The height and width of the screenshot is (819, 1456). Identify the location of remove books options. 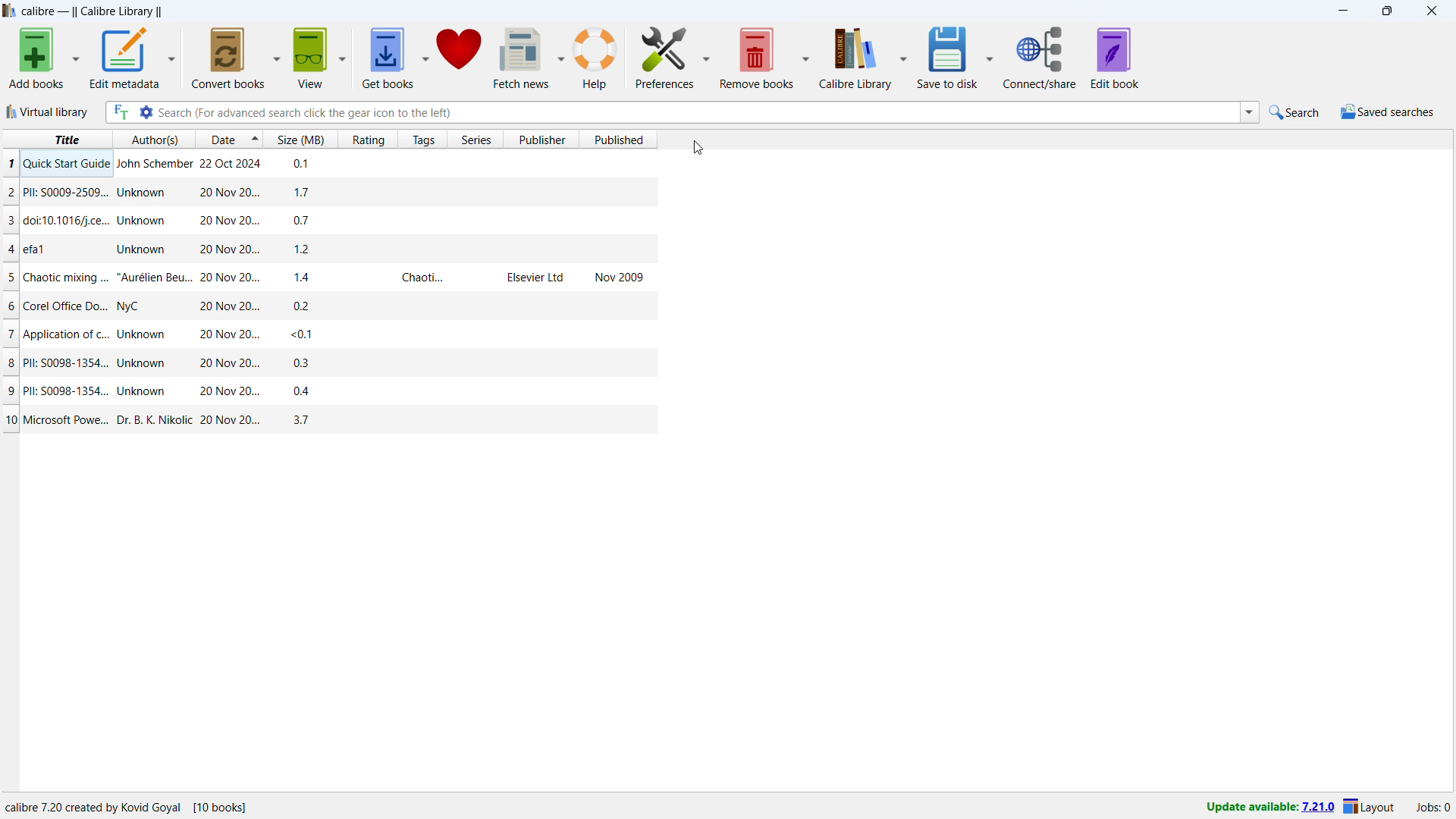
(806, 56).